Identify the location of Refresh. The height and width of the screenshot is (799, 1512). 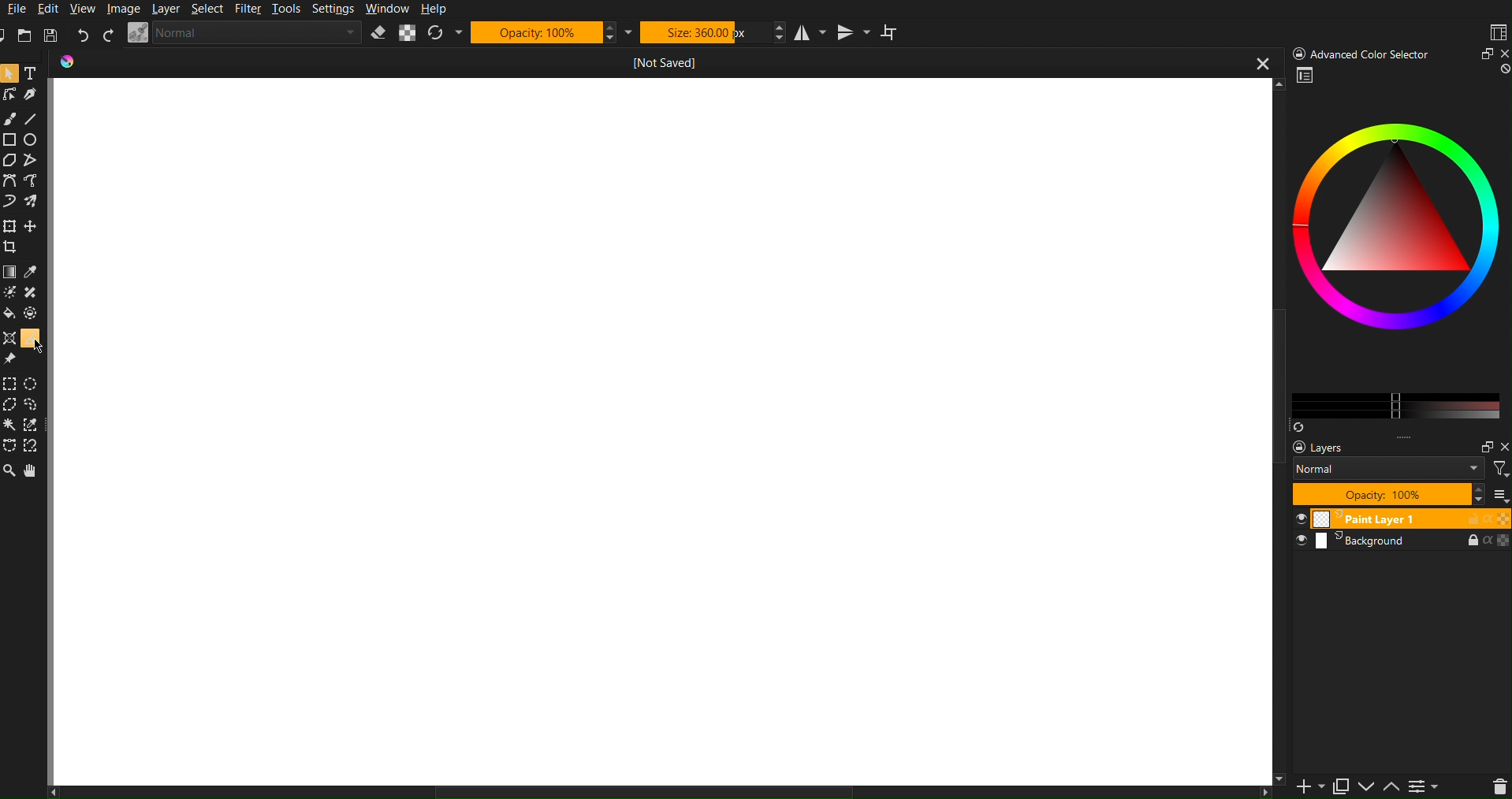
(444, 33).